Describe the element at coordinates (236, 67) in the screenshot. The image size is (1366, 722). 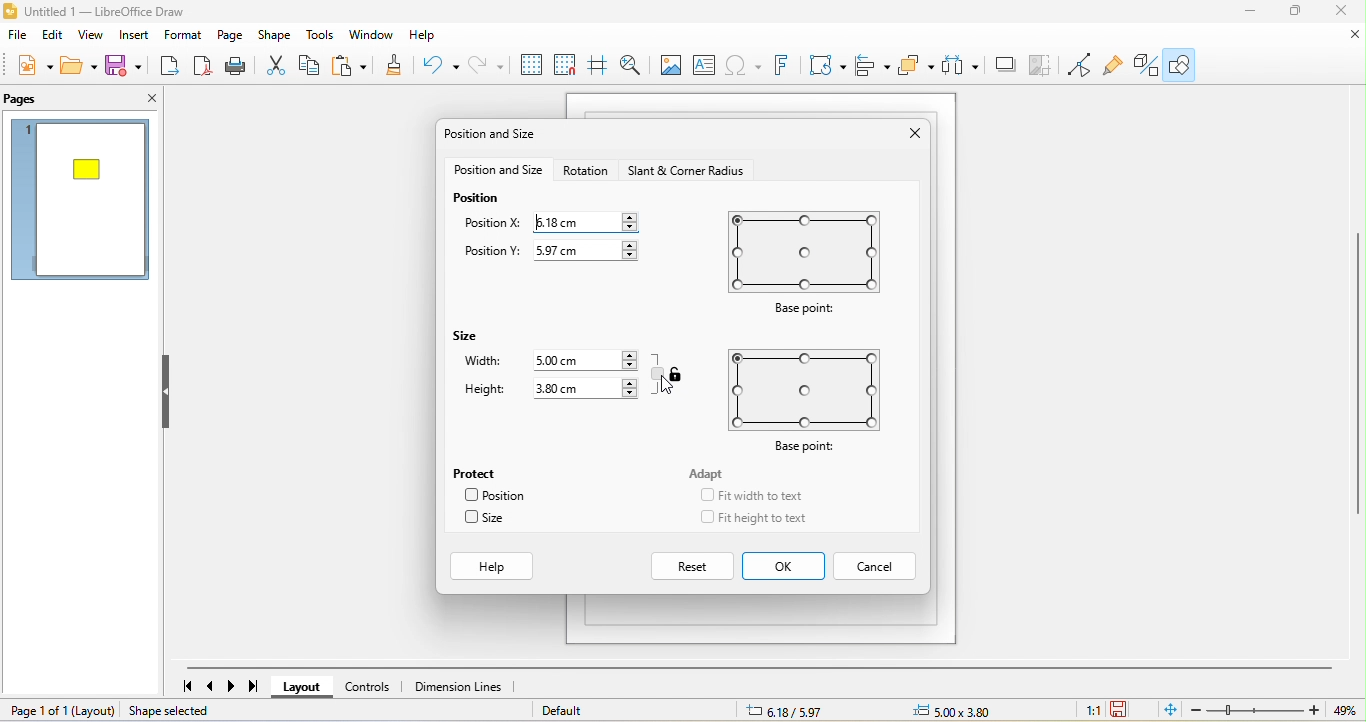
I see `print` at that location.